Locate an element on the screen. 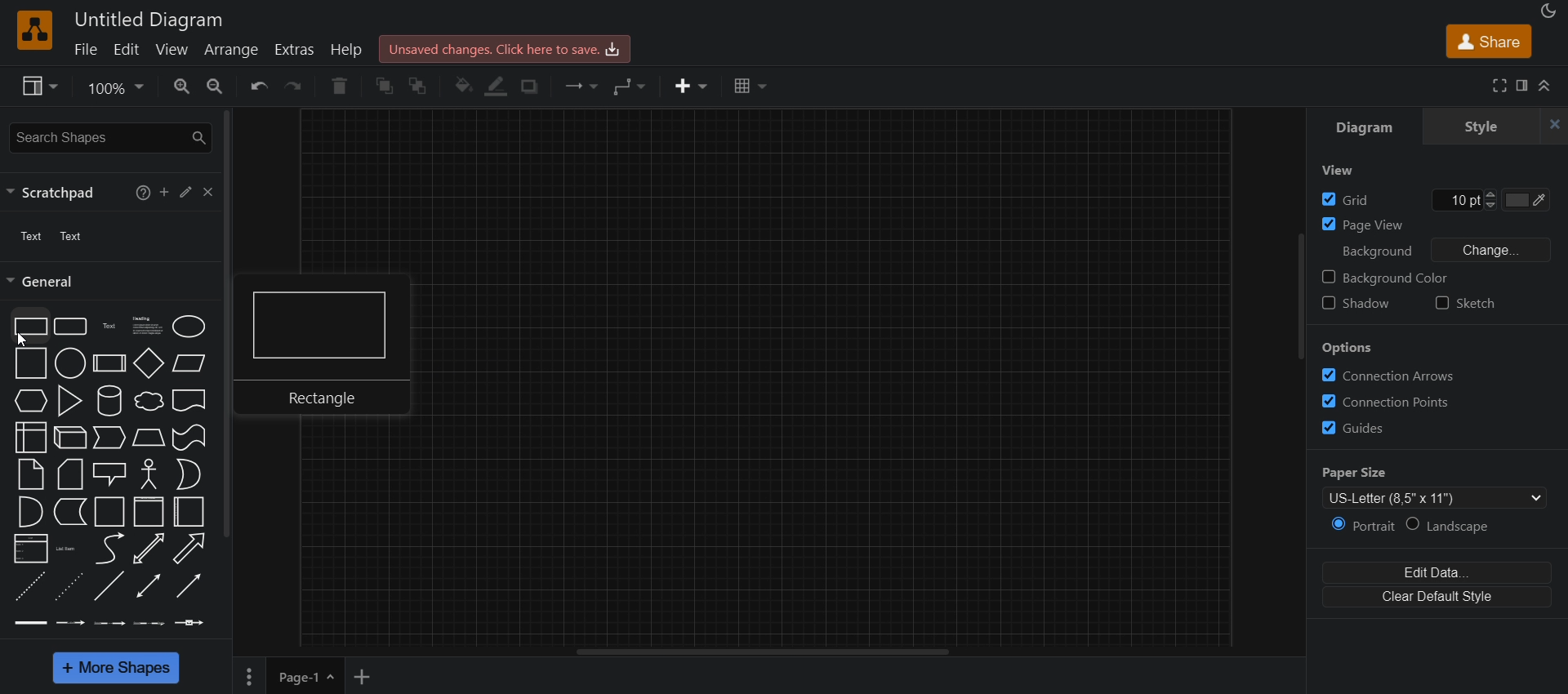  data storage is located at coordinates (70, 514).